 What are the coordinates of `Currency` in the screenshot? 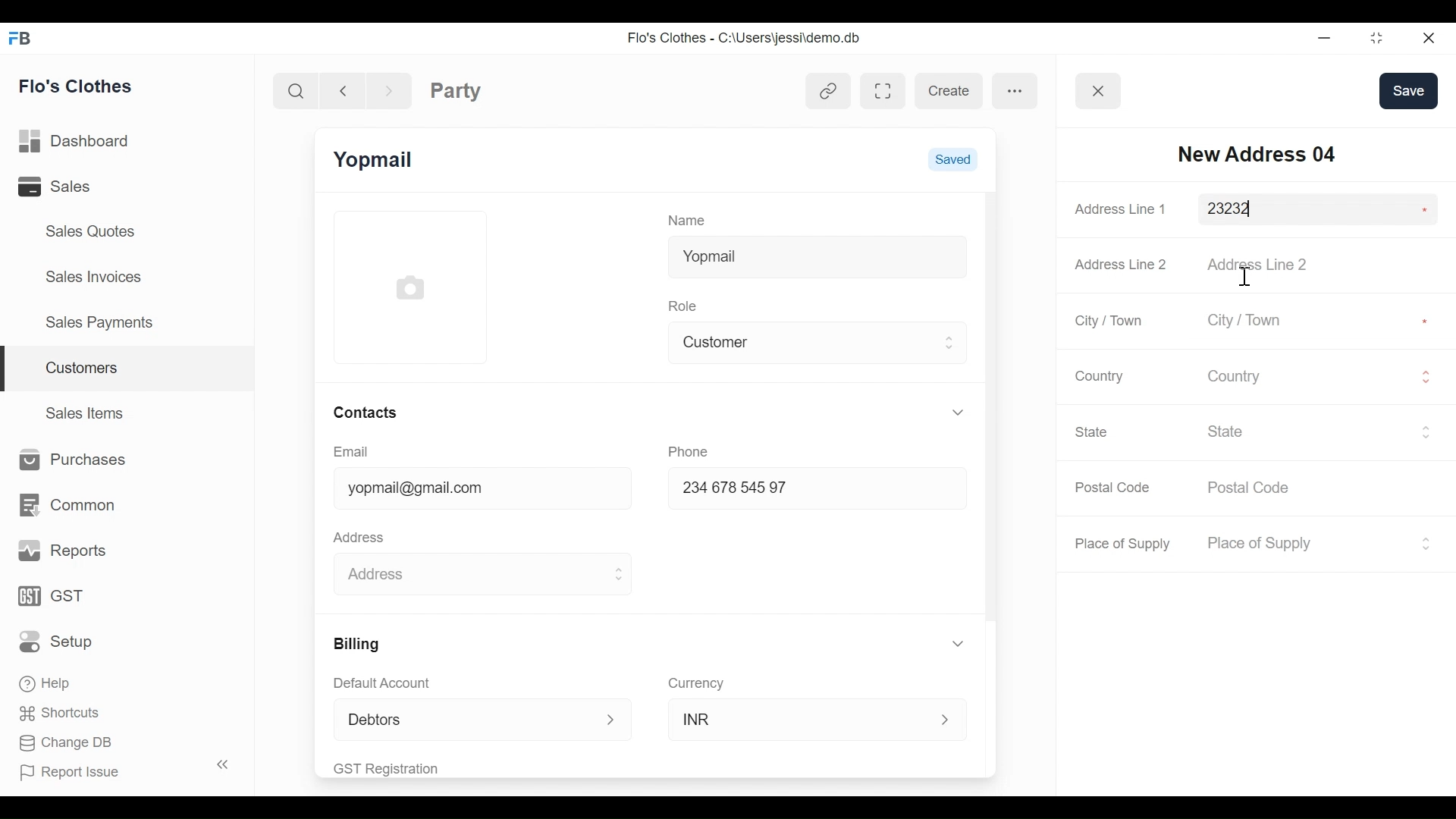 It's located at (697, 682).